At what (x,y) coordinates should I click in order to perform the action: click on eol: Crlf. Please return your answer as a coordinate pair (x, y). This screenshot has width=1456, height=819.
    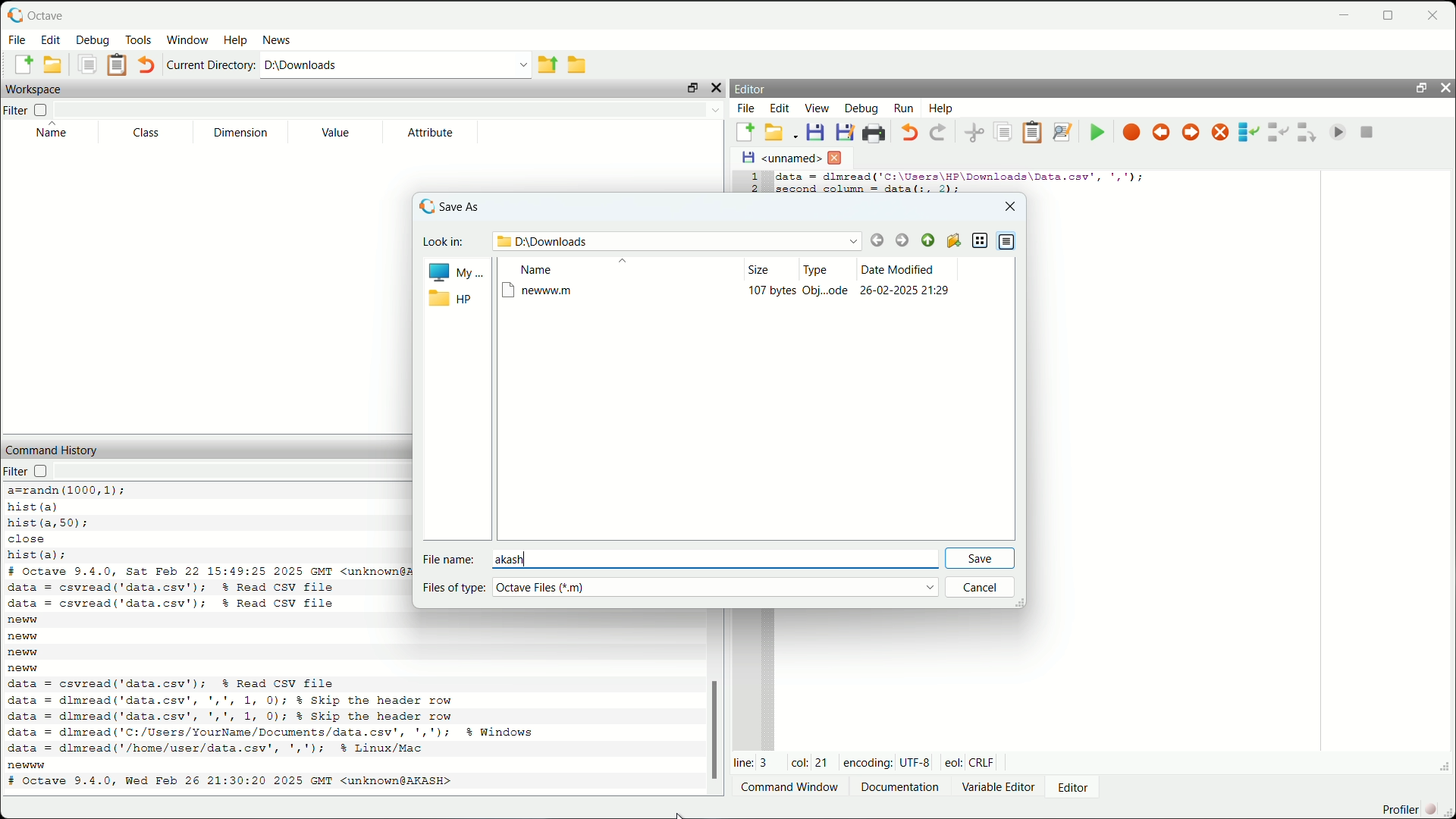
    Looking at the image, I should click on (971, 761).